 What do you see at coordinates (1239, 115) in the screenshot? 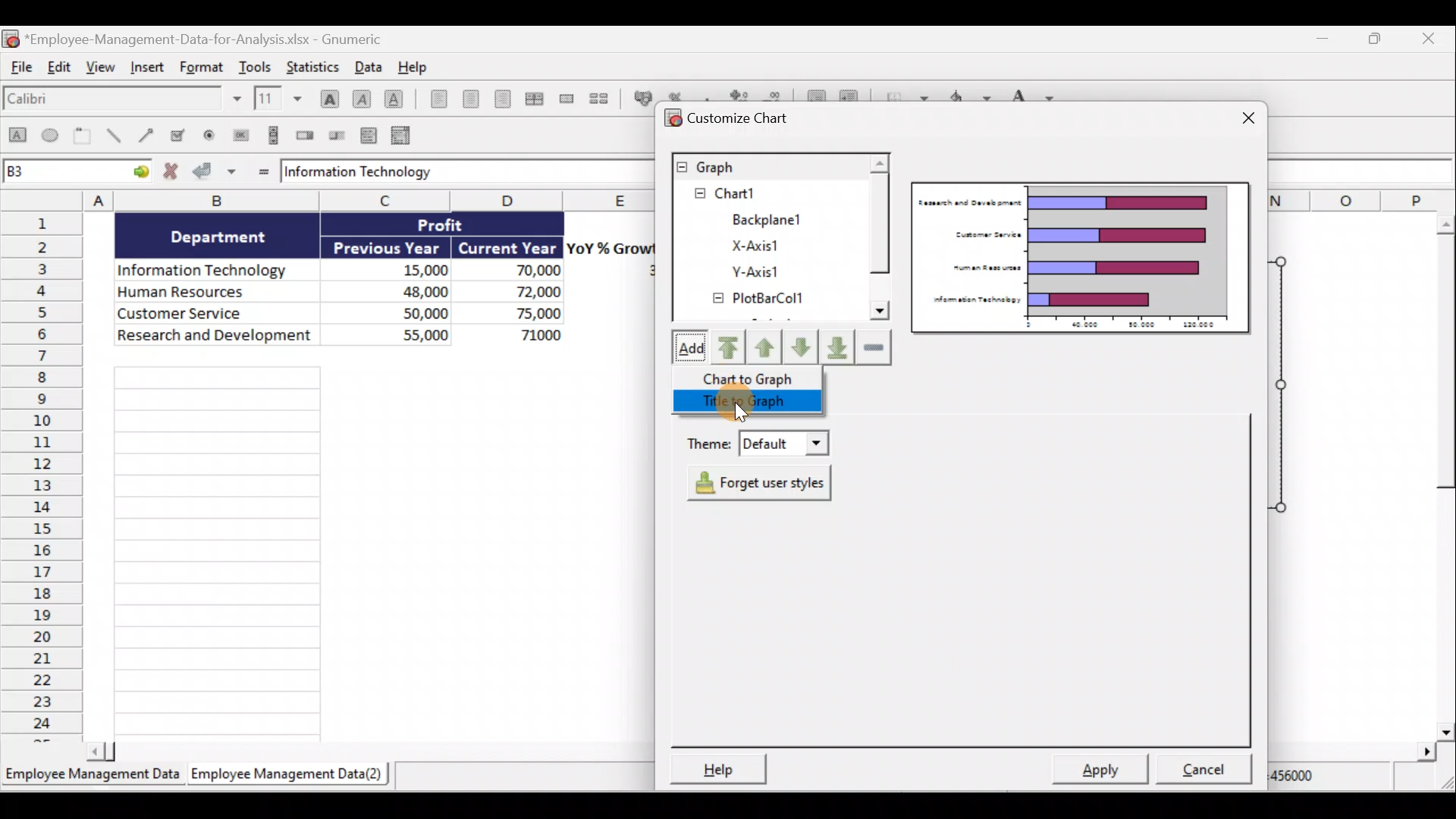
I see `Close` at bounding box center [1239, 115].